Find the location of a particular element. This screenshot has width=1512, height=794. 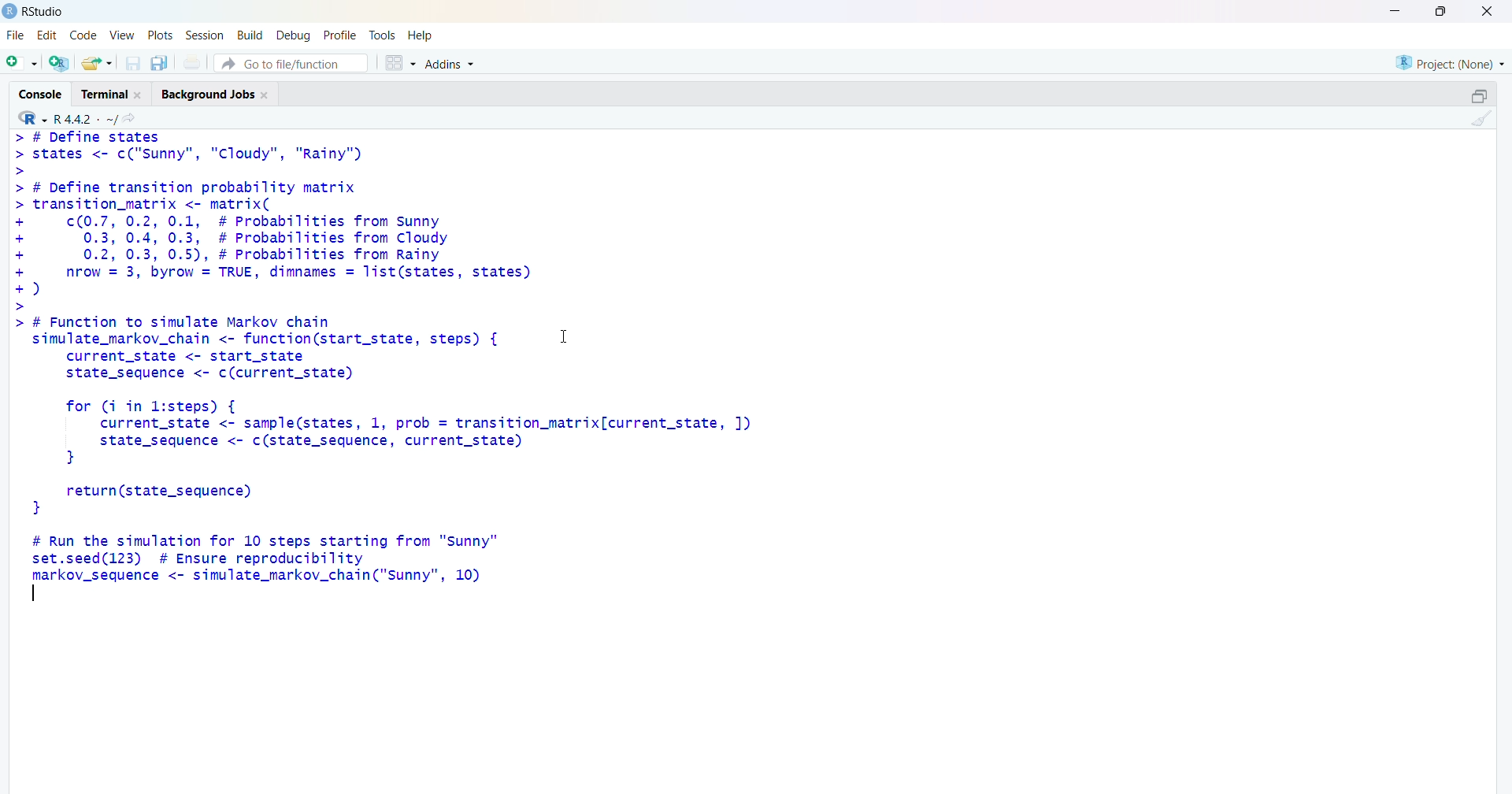

edit is located at coordinates (48, 33).